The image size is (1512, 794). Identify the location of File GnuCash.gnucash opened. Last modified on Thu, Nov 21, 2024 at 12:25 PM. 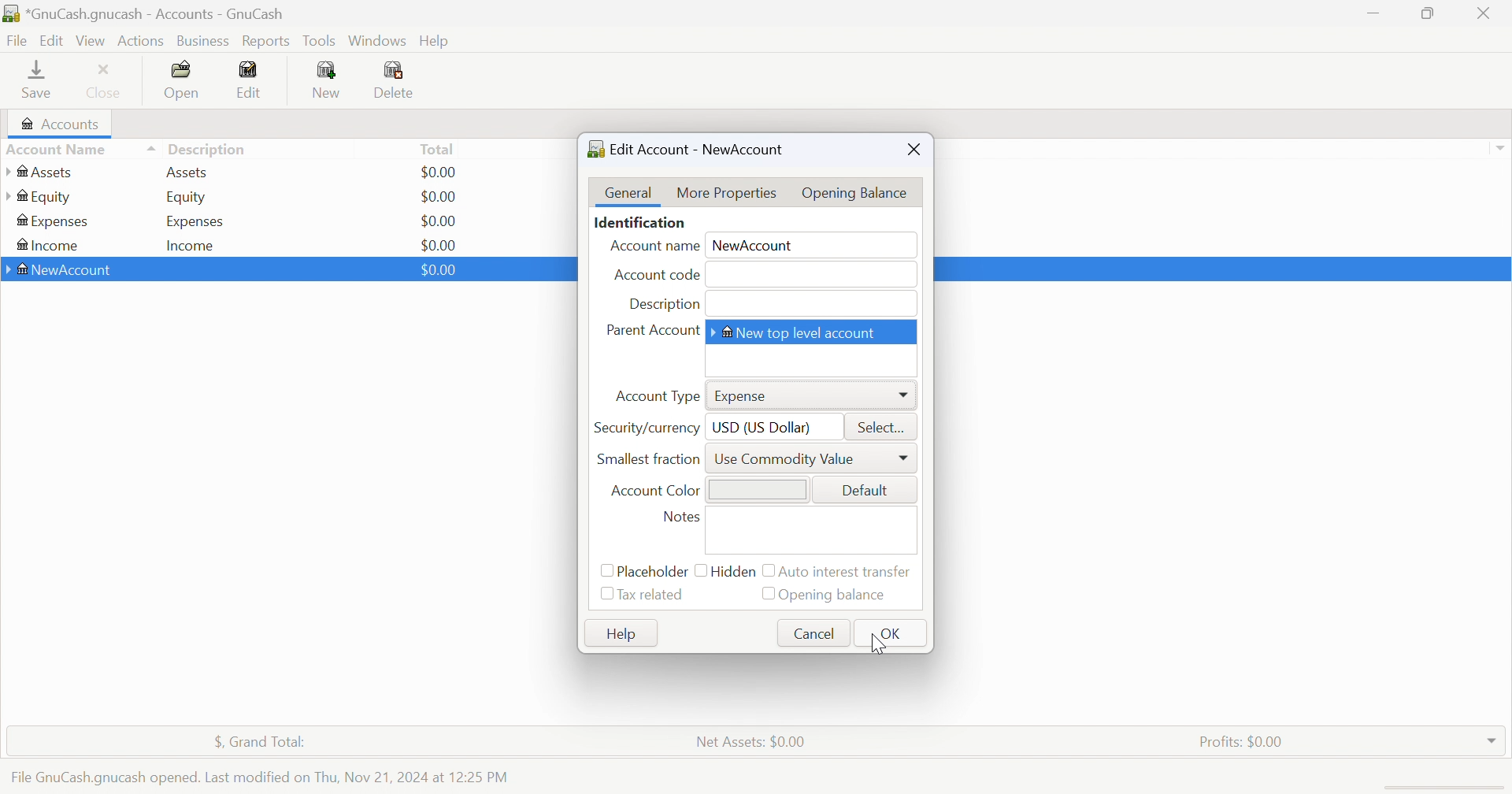
(259, 774).